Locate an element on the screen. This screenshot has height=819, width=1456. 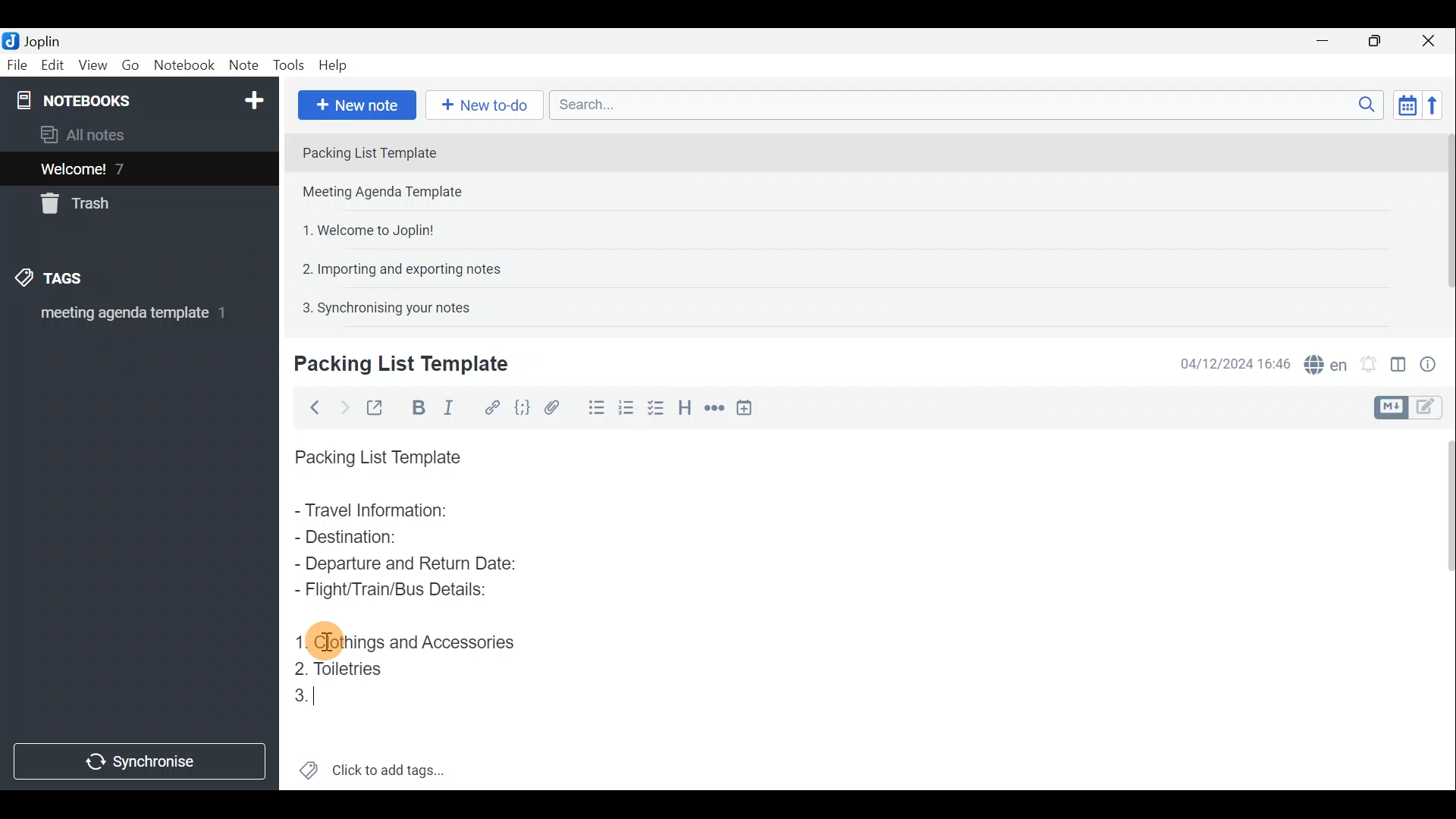
Horizontal rule is located at coordinates (712, 408).